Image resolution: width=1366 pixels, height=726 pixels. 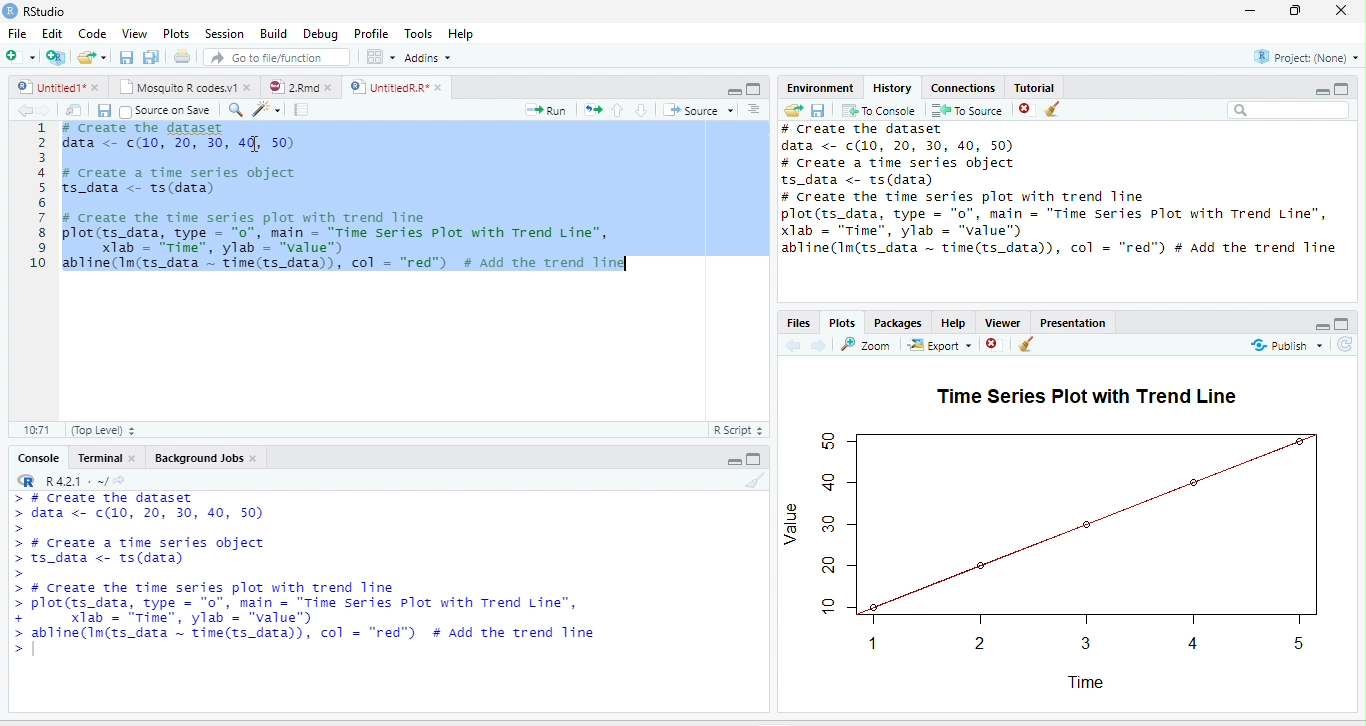 What do you see at coordinates (793, 344) in the screenshot?
I see `Previous plot` at bounding box center [793, 344].